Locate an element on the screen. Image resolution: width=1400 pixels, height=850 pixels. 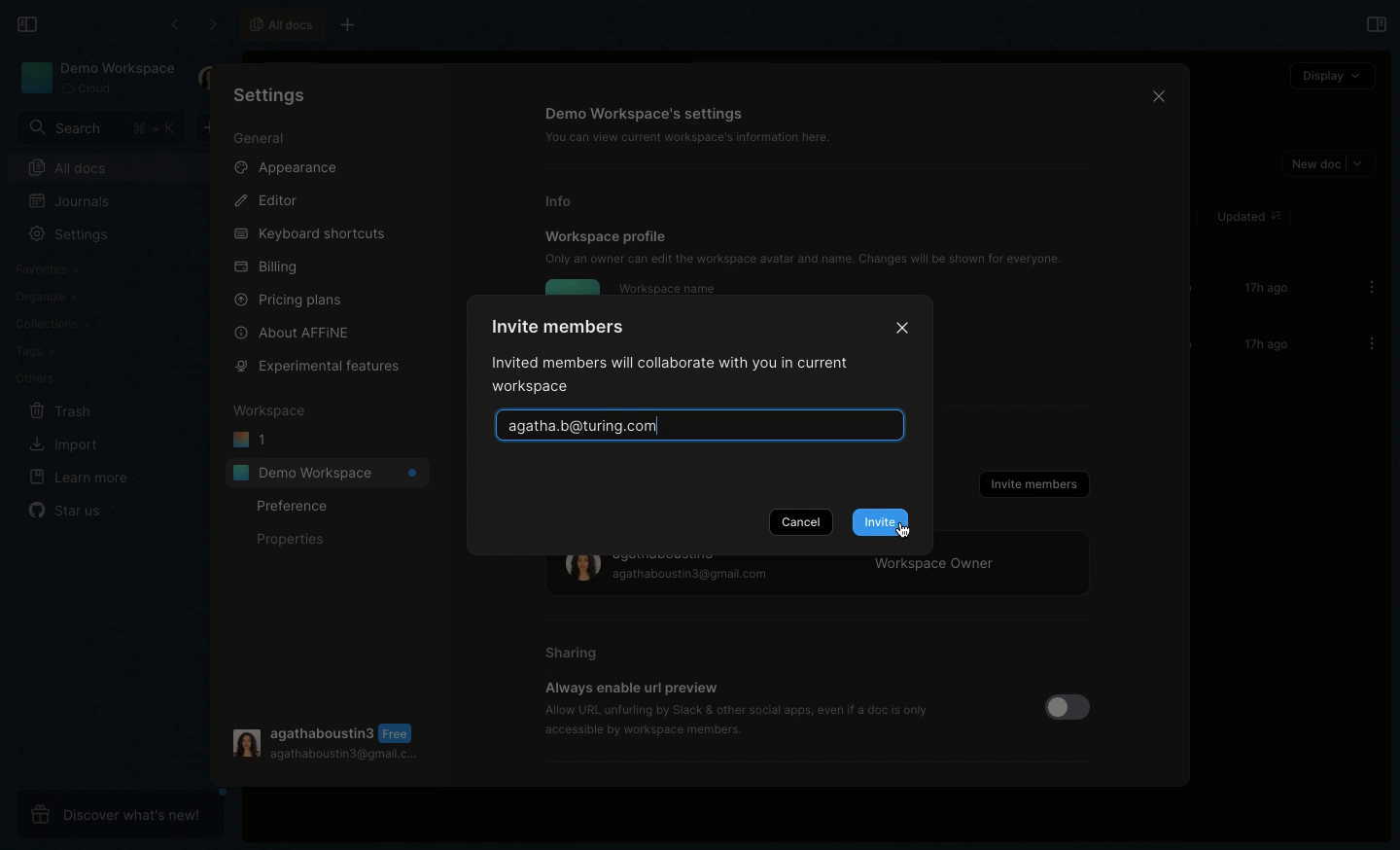
Discover what's new! is located at coordinates (118, 812).